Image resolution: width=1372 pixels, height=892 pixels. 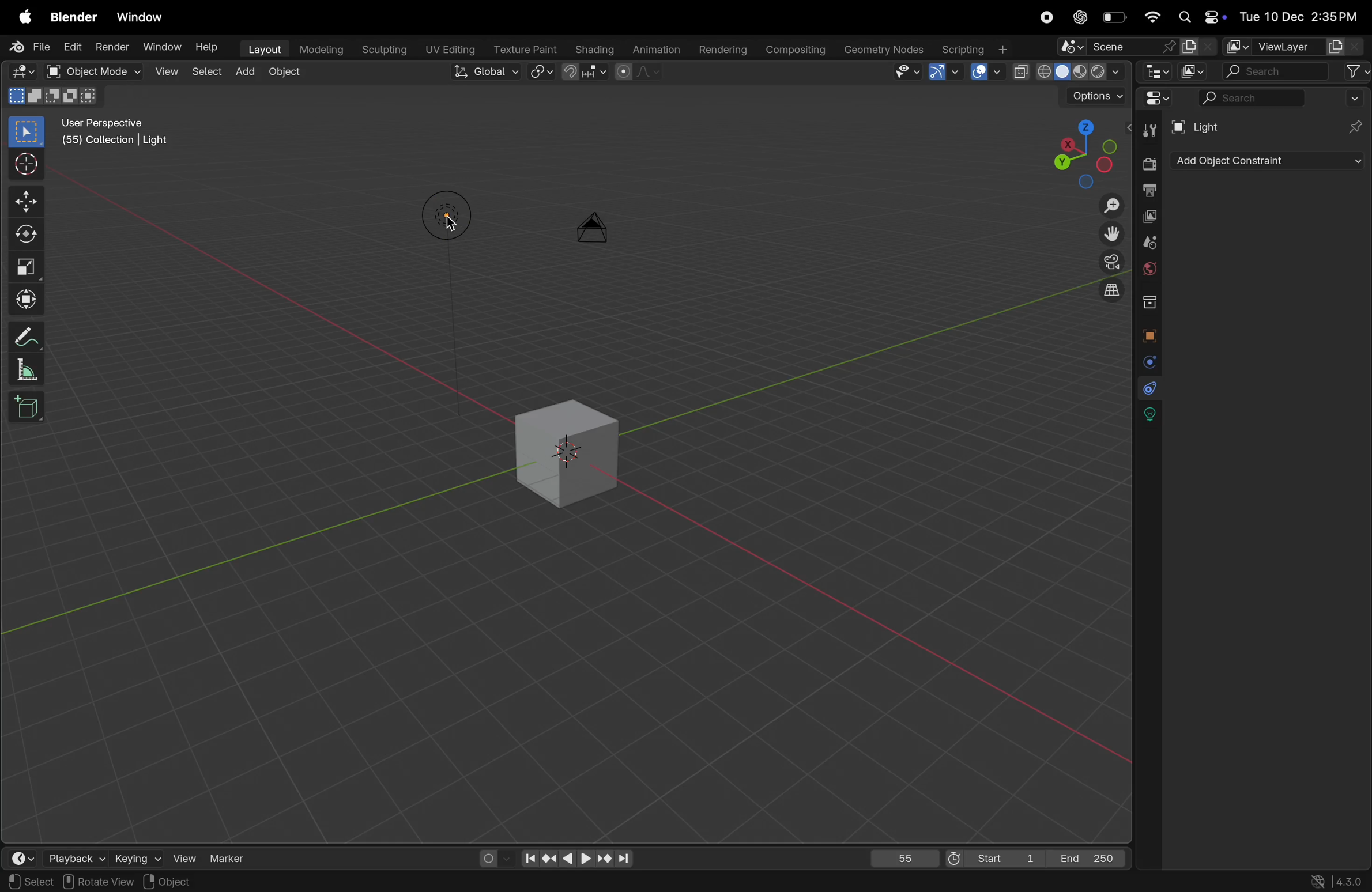 I want to click on User perspective, so click(x=117, y=134).